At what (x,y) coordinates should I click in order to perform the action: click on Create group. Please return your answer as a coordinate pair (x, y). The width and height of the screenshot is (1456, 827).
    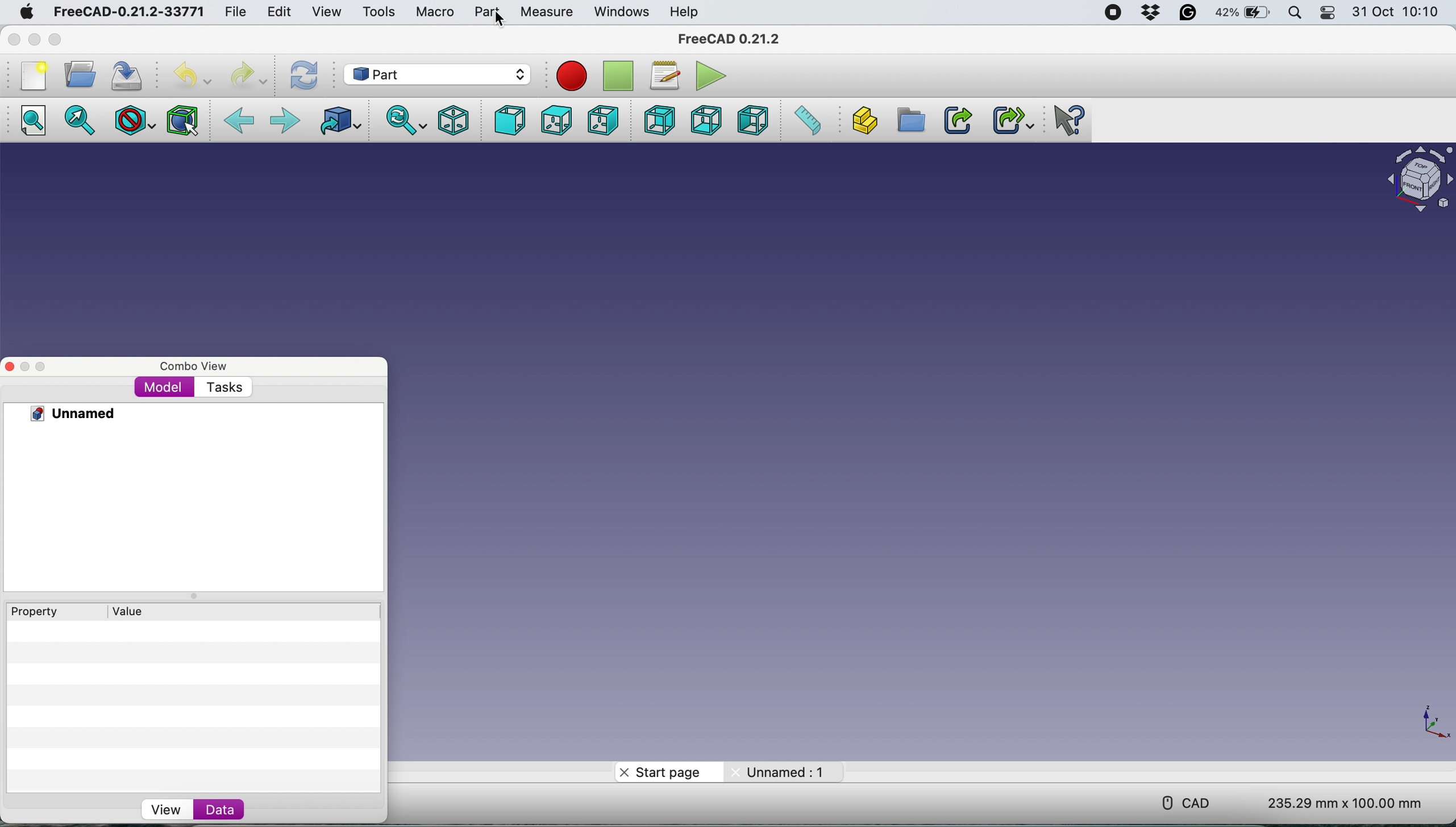
    Looking at the image, I should click on (908, 120).